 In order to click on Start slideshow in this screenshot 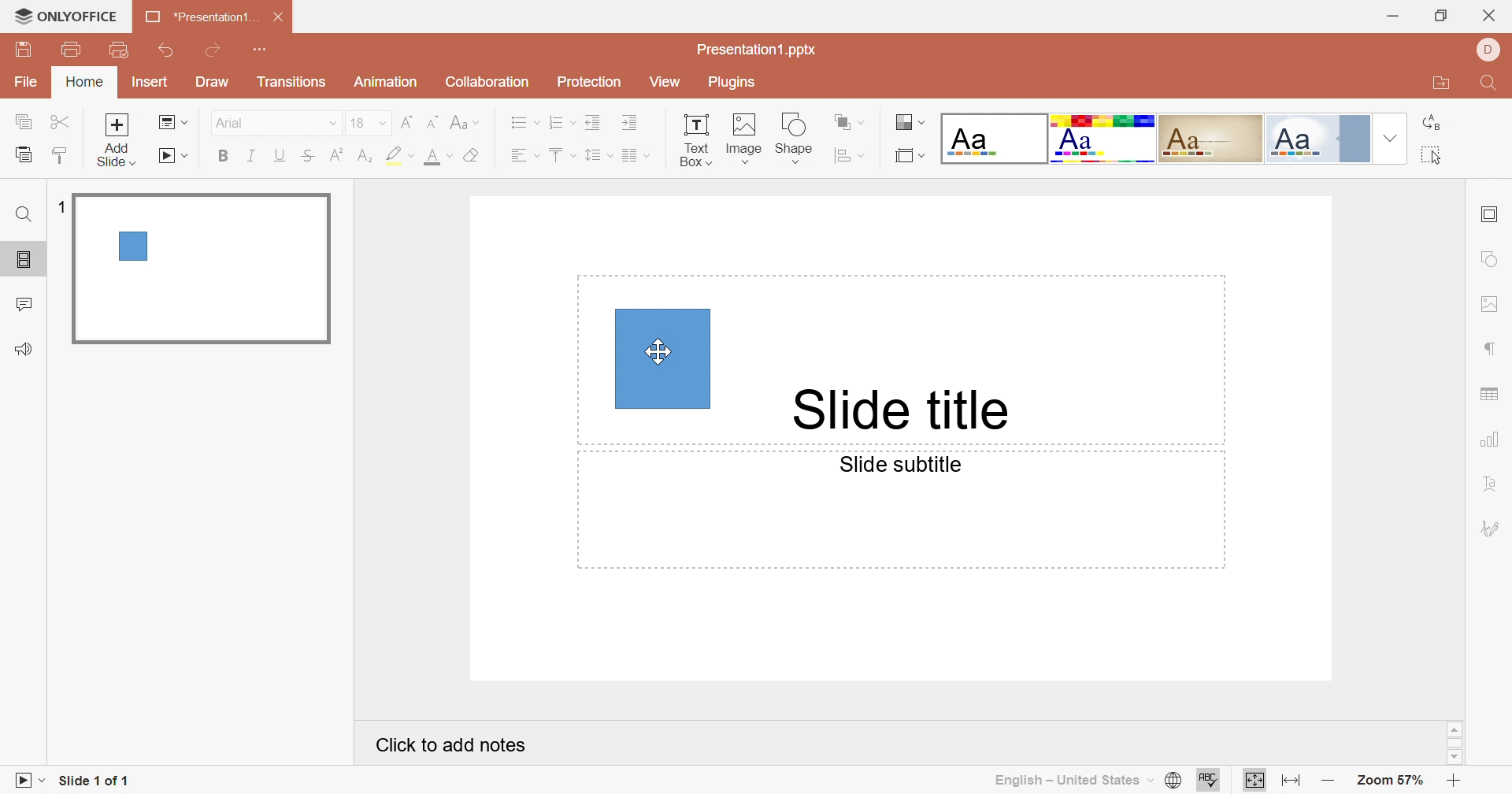, I will do `click(176, 157)`.